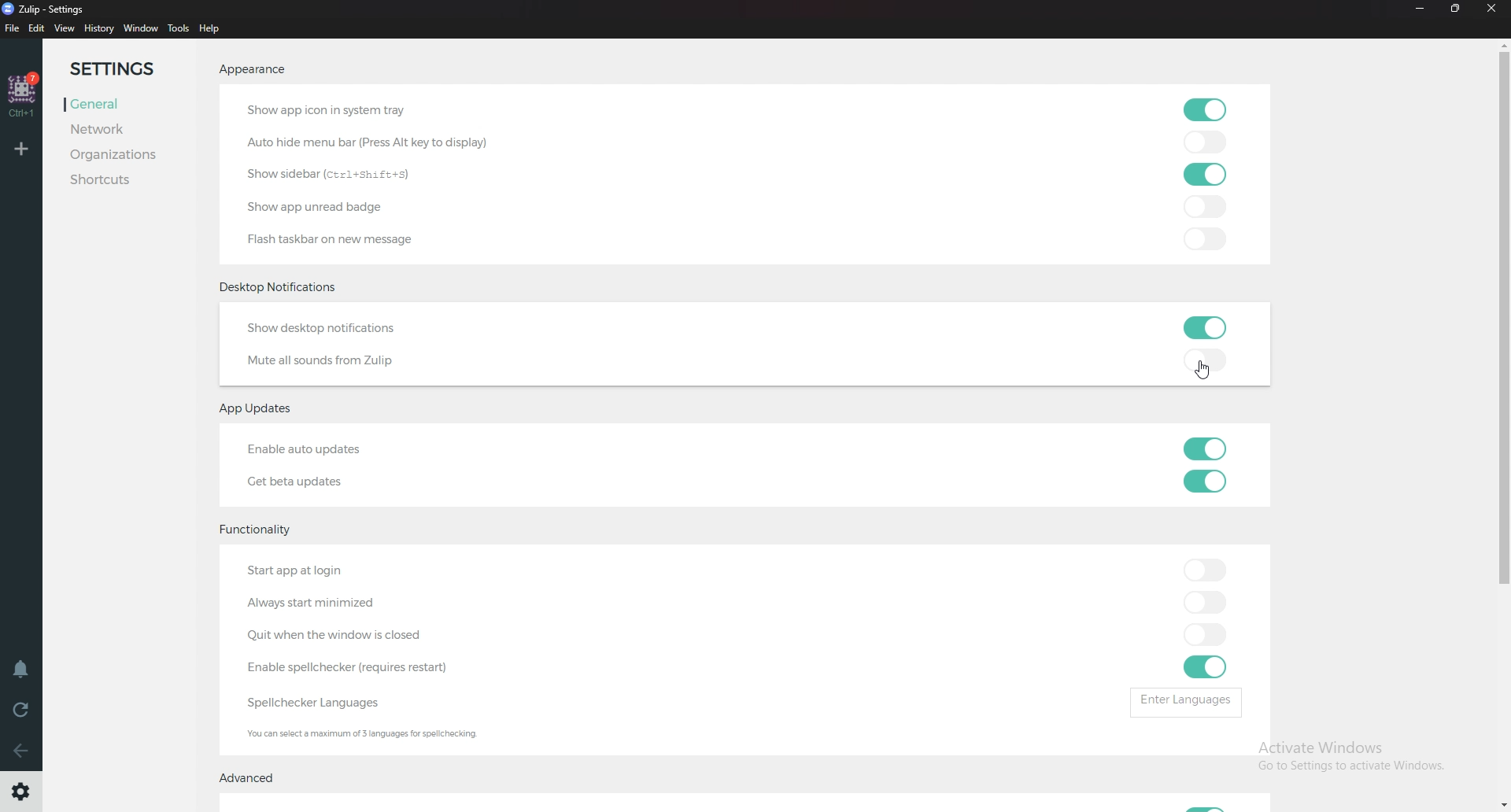 This screenshot has width=1511, height=812. Describe the element at coordinates (23, 792) in the screenshot. I see `settings` at that location.